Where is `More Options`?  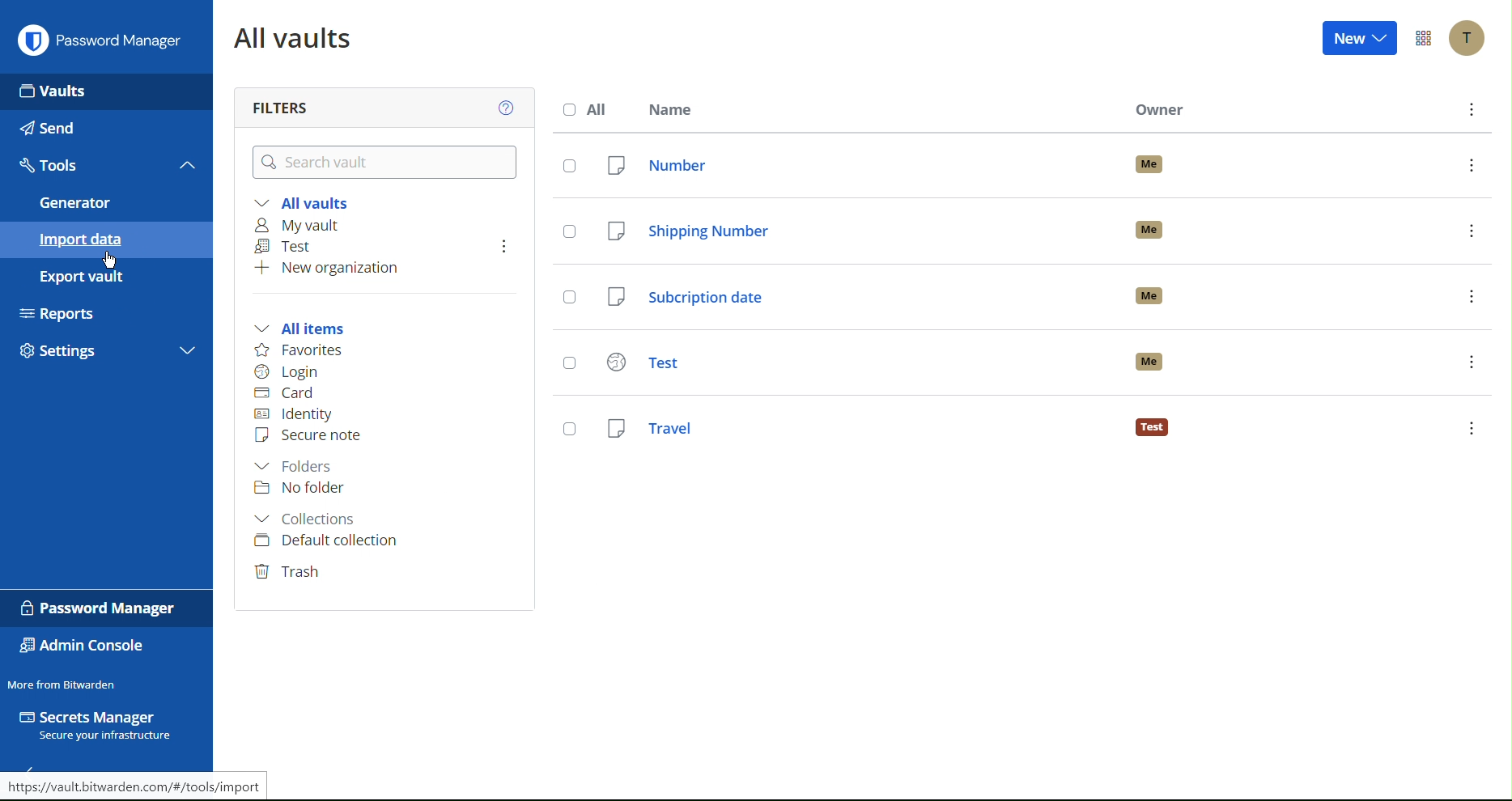
More Options is located at coordinates (1424, 39).